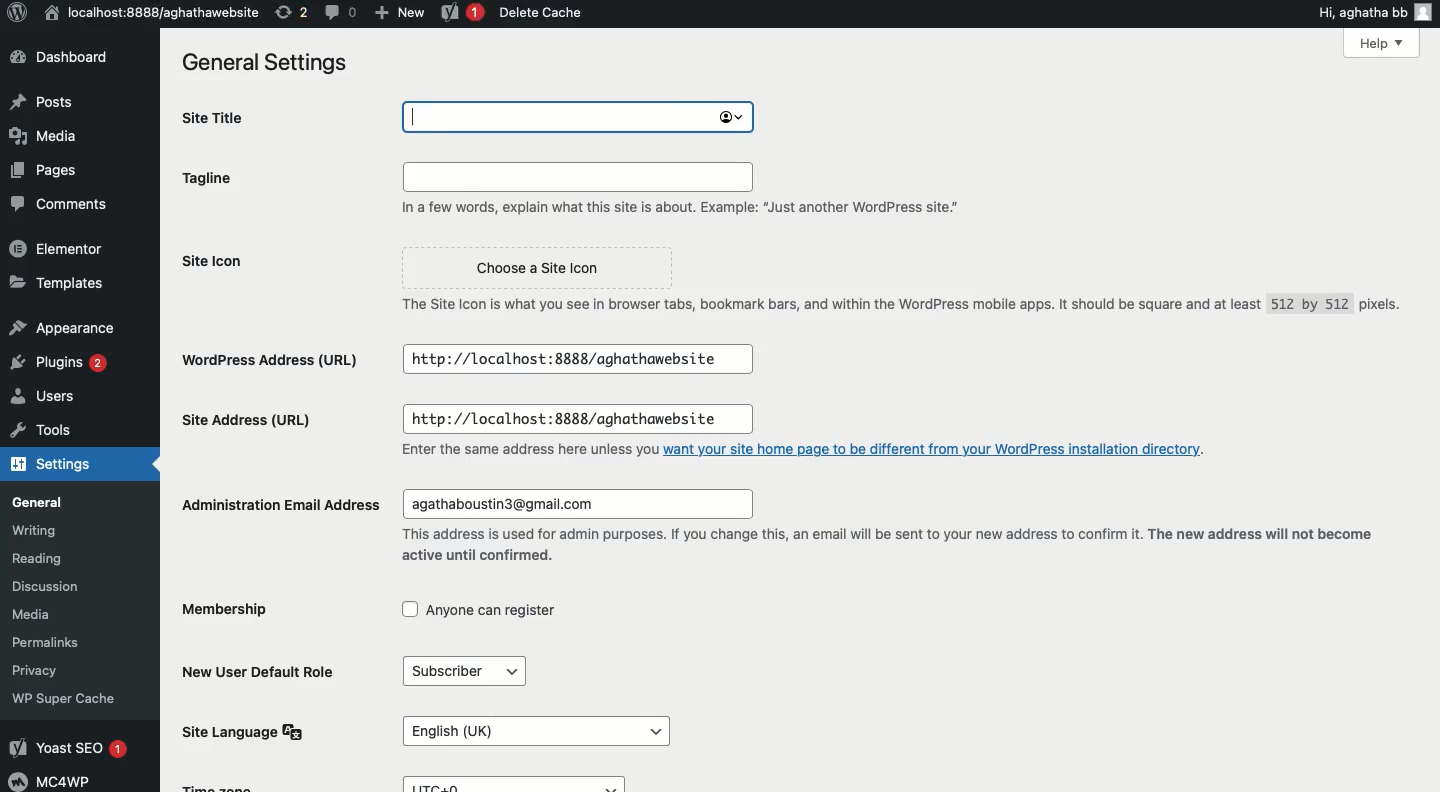 This screenshot has height=792, width=1440. I want to click on General settings, so click(275, 67).